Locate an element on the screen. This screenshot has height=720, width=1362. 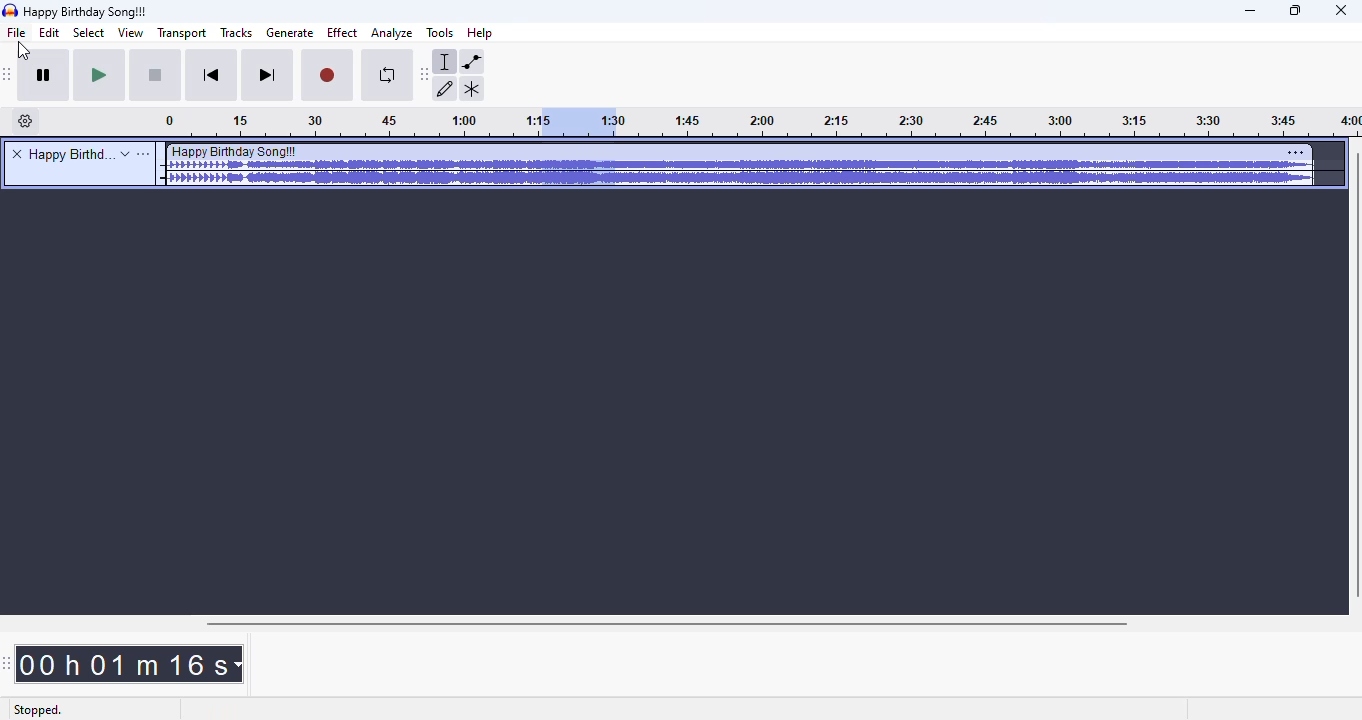
file is located at coordinates (17, 33).